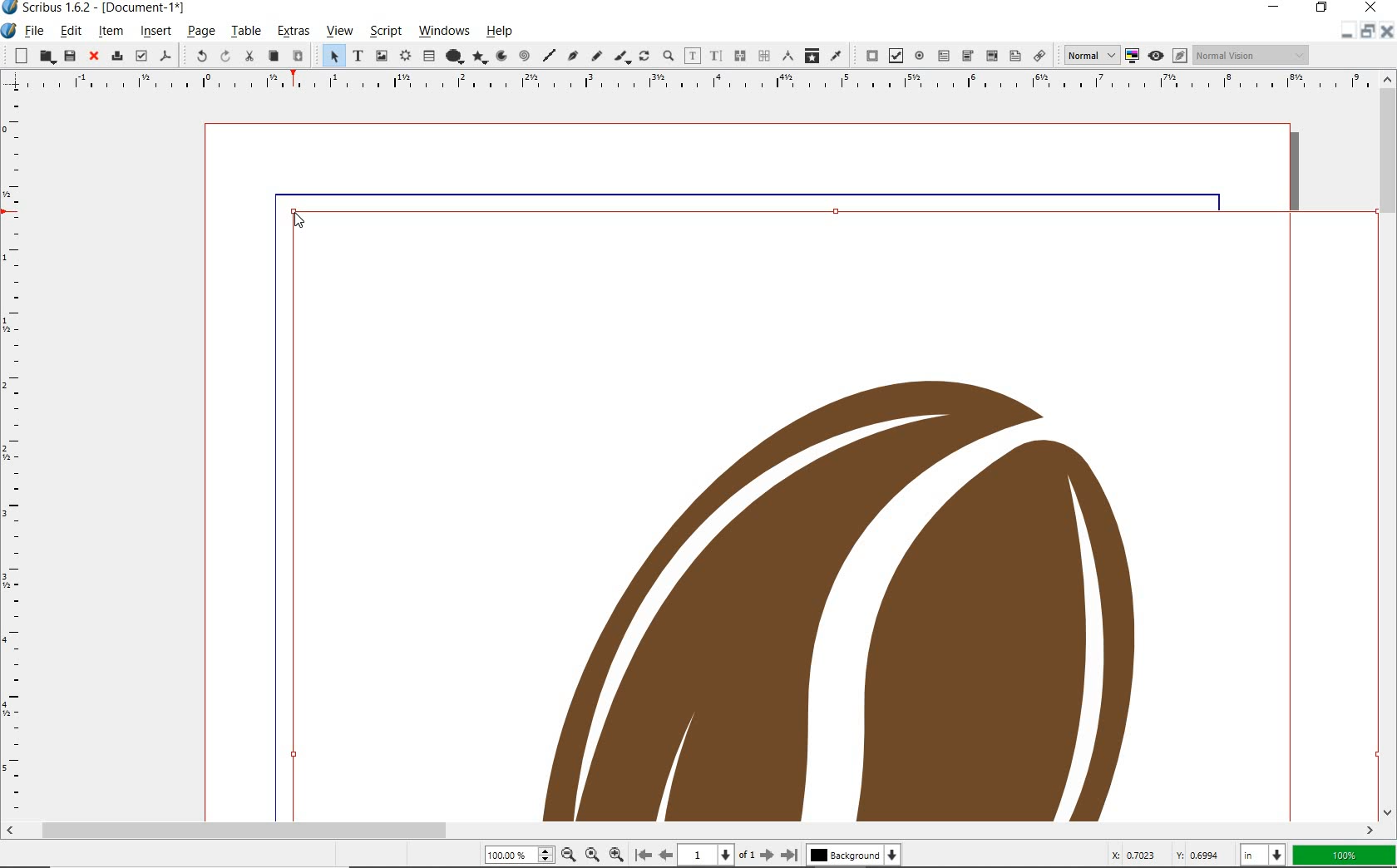 The width and height of the screenshot is (1397, 868). I want to click on cut, so click(251, 57).